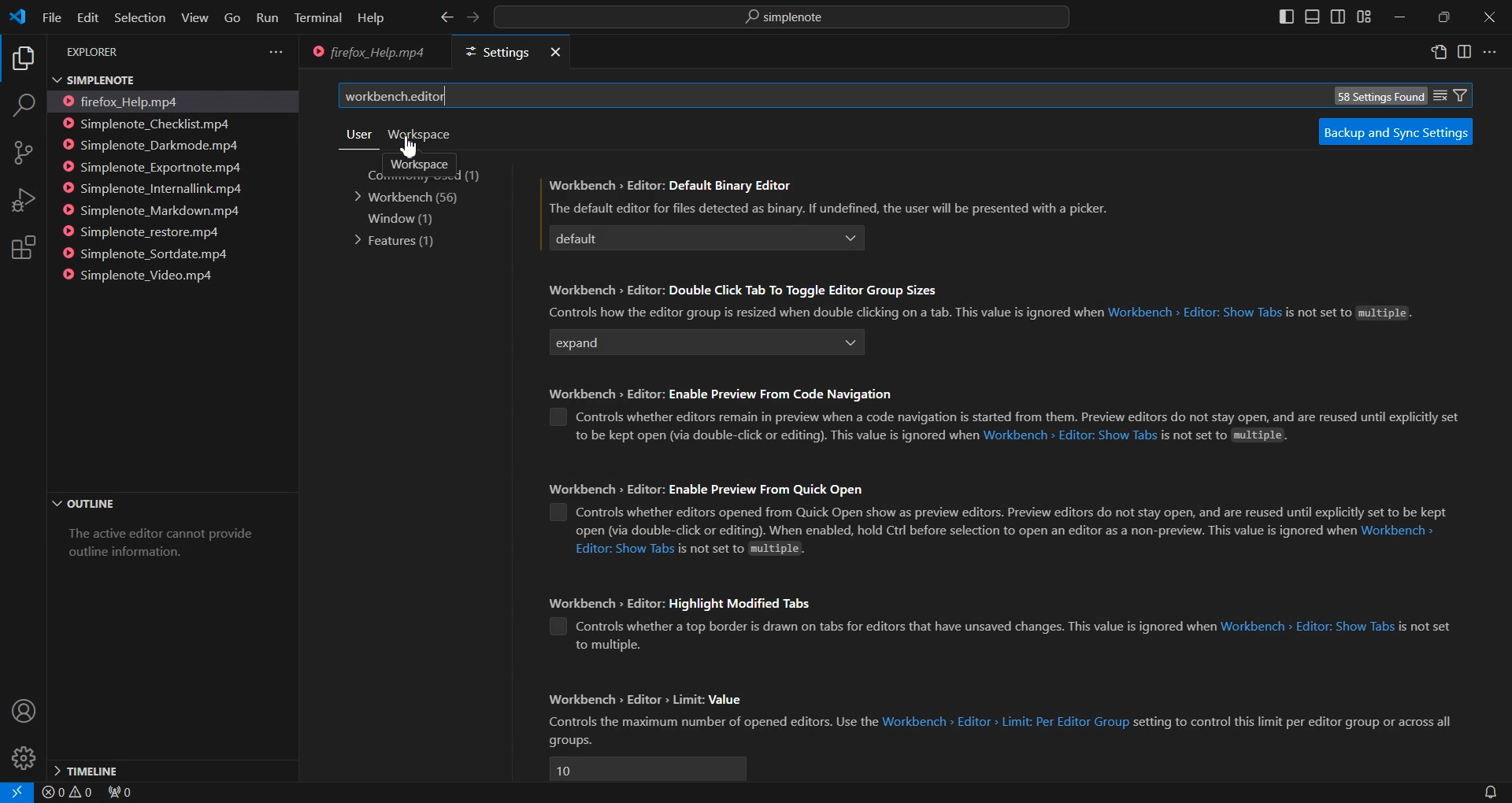 This screenshot has height=803, width=1512. I want to click on Customize layout , so click(1363, 17).